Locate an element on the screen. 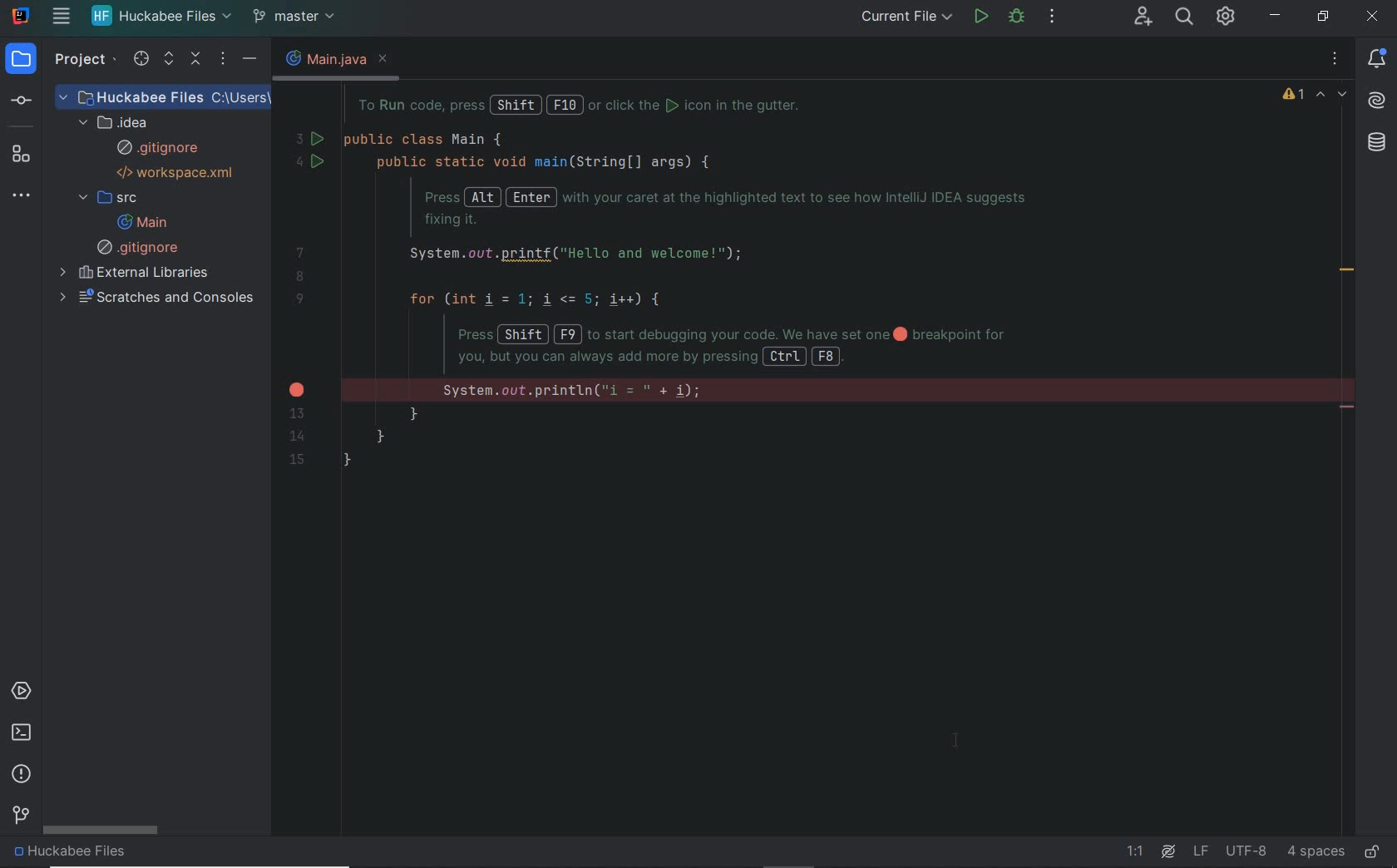  system name is located at coordinates (20, 16).